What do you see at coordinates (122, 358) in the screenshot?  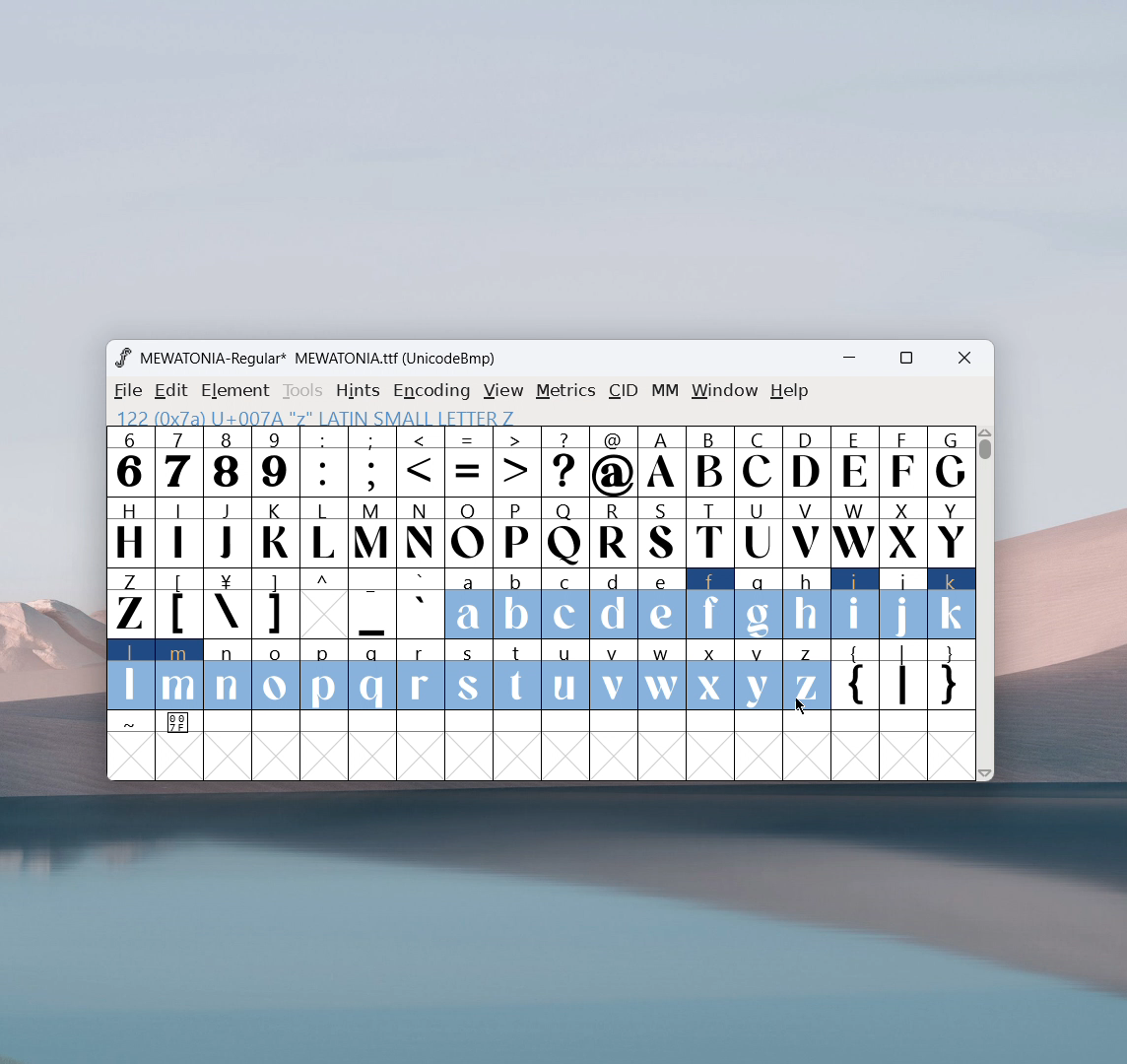 I see `logo` at bounding box center [122, 358].